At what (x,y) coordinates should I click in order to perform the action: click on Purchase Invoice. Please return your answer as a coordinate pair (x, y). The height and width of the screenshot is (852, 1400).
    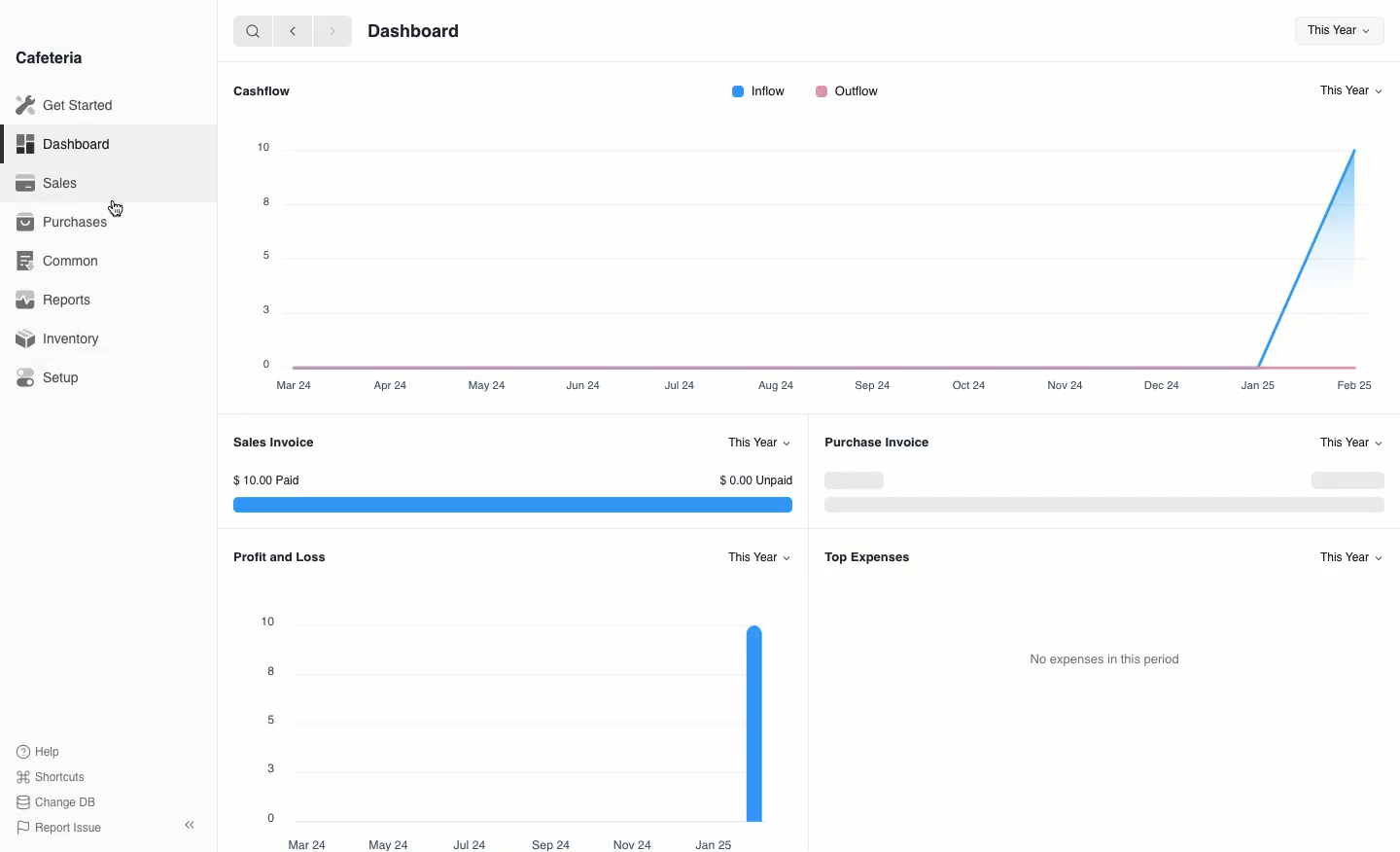
    Looking at the image, I should click on (878, 444).